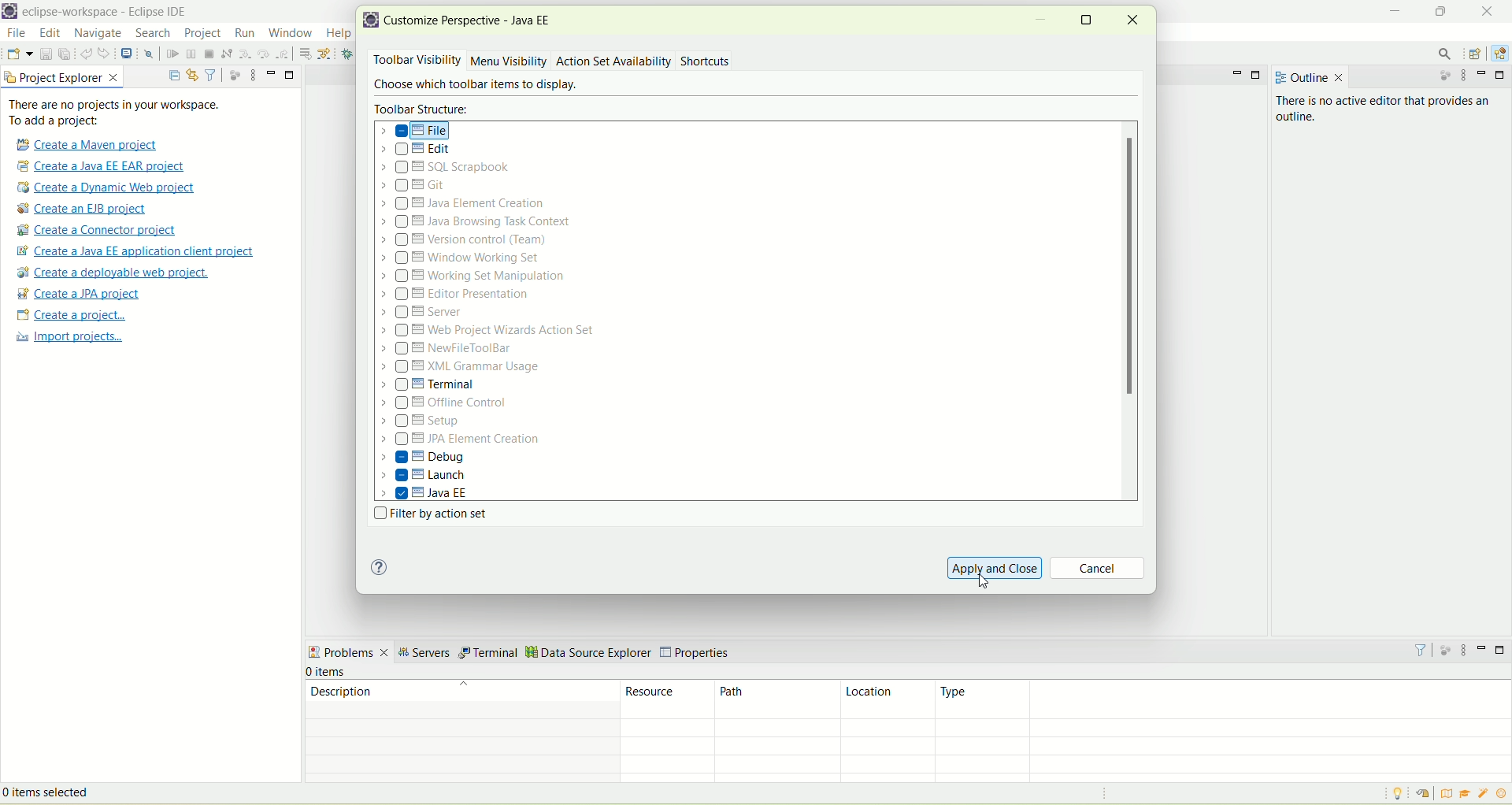 The height and width of the screenshot is (805, 1512). What do you see at coordinates (452, 384) in the screenshot?
I see `terminal` at bounding box center [452, 384].